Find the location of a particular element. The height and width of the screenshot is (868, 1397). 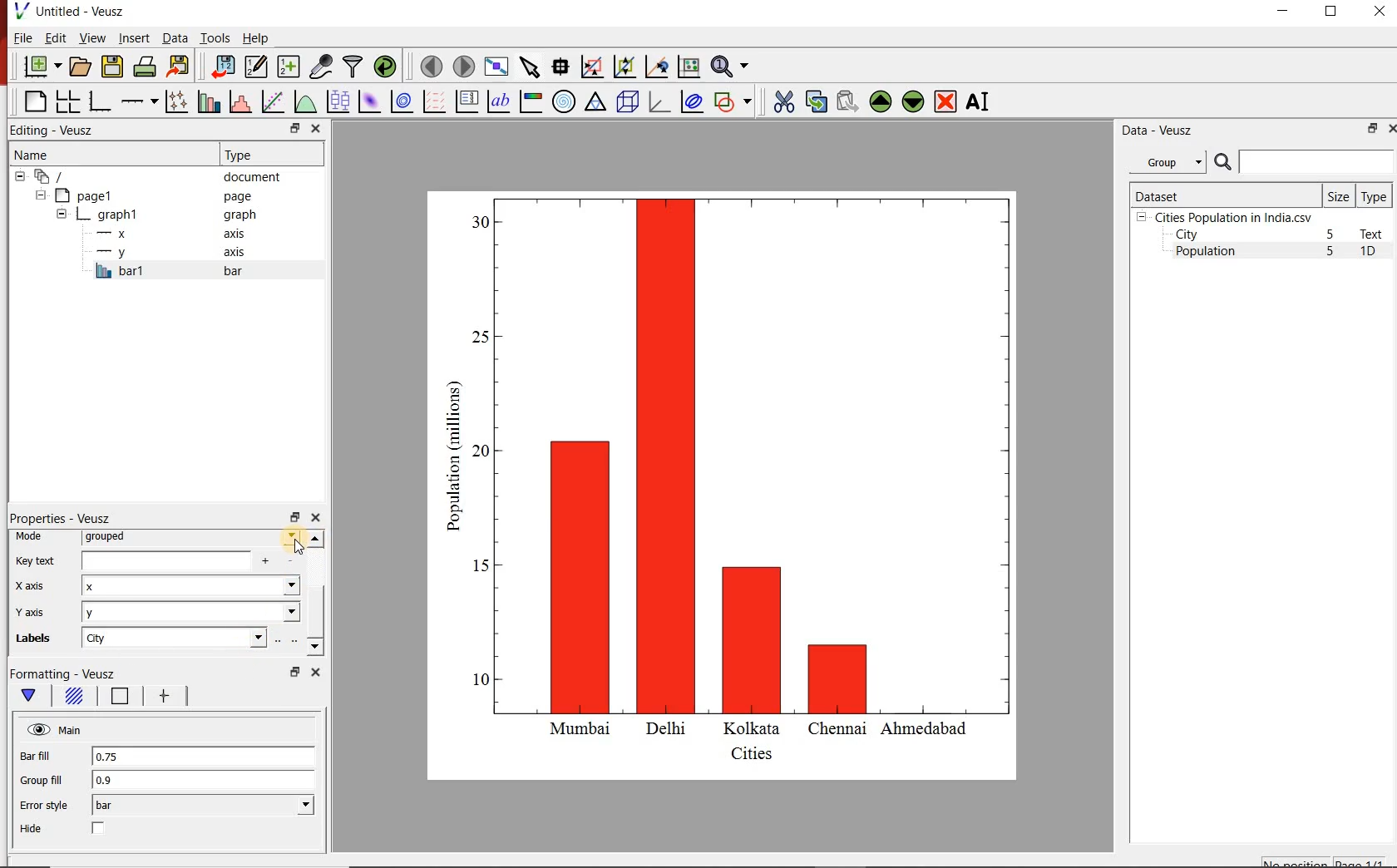

3d scene is located at coordinates (626, 101).